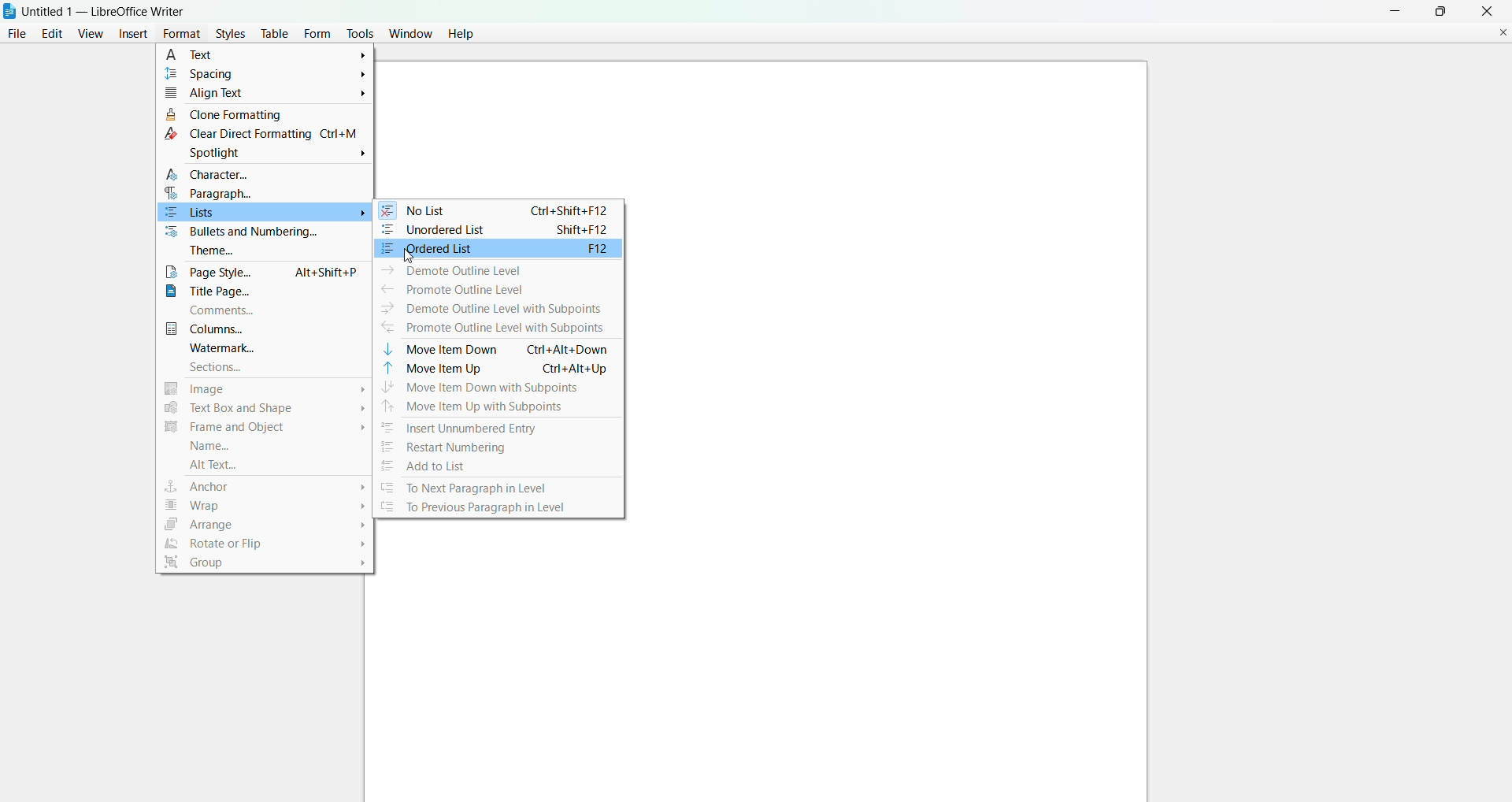  I want to click on clone formatting, so click(222, 115).